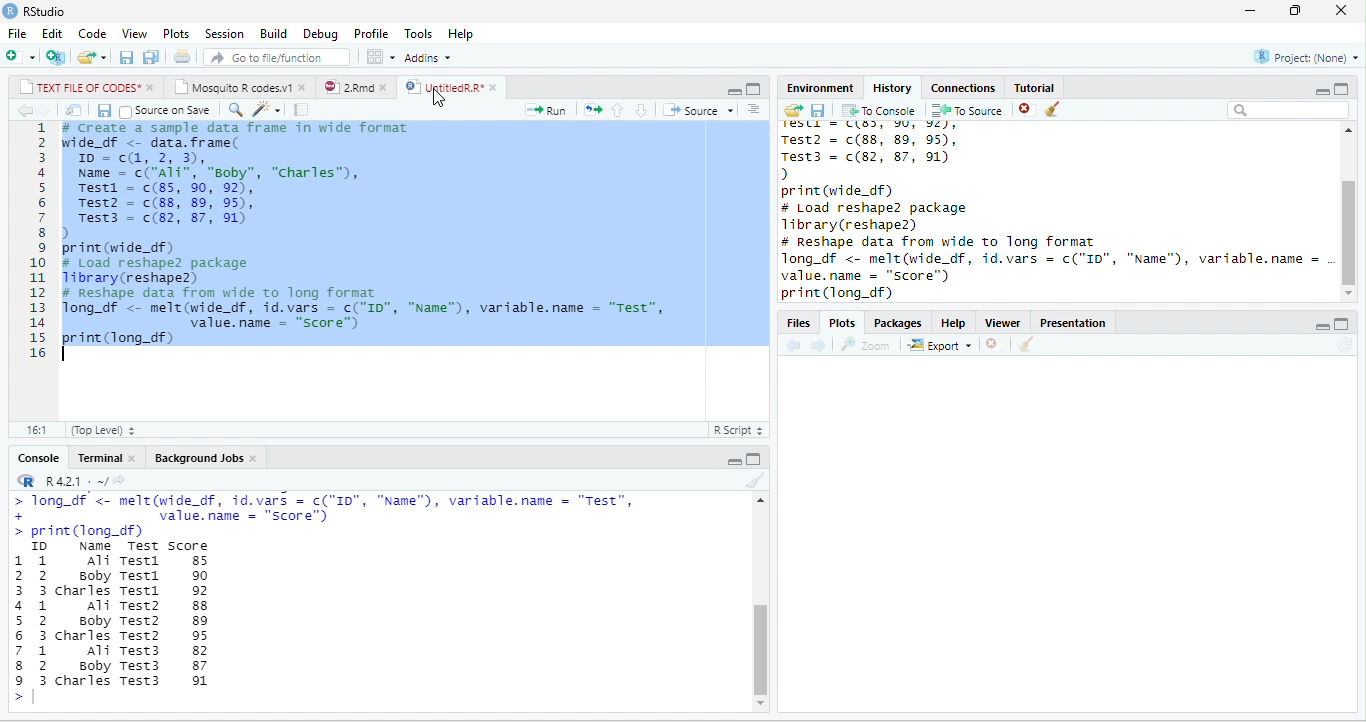 This screenshot has height=722, width=1366. Describe the element at coordinates (225, 34) in the screenshot. I see `Session` at that location.